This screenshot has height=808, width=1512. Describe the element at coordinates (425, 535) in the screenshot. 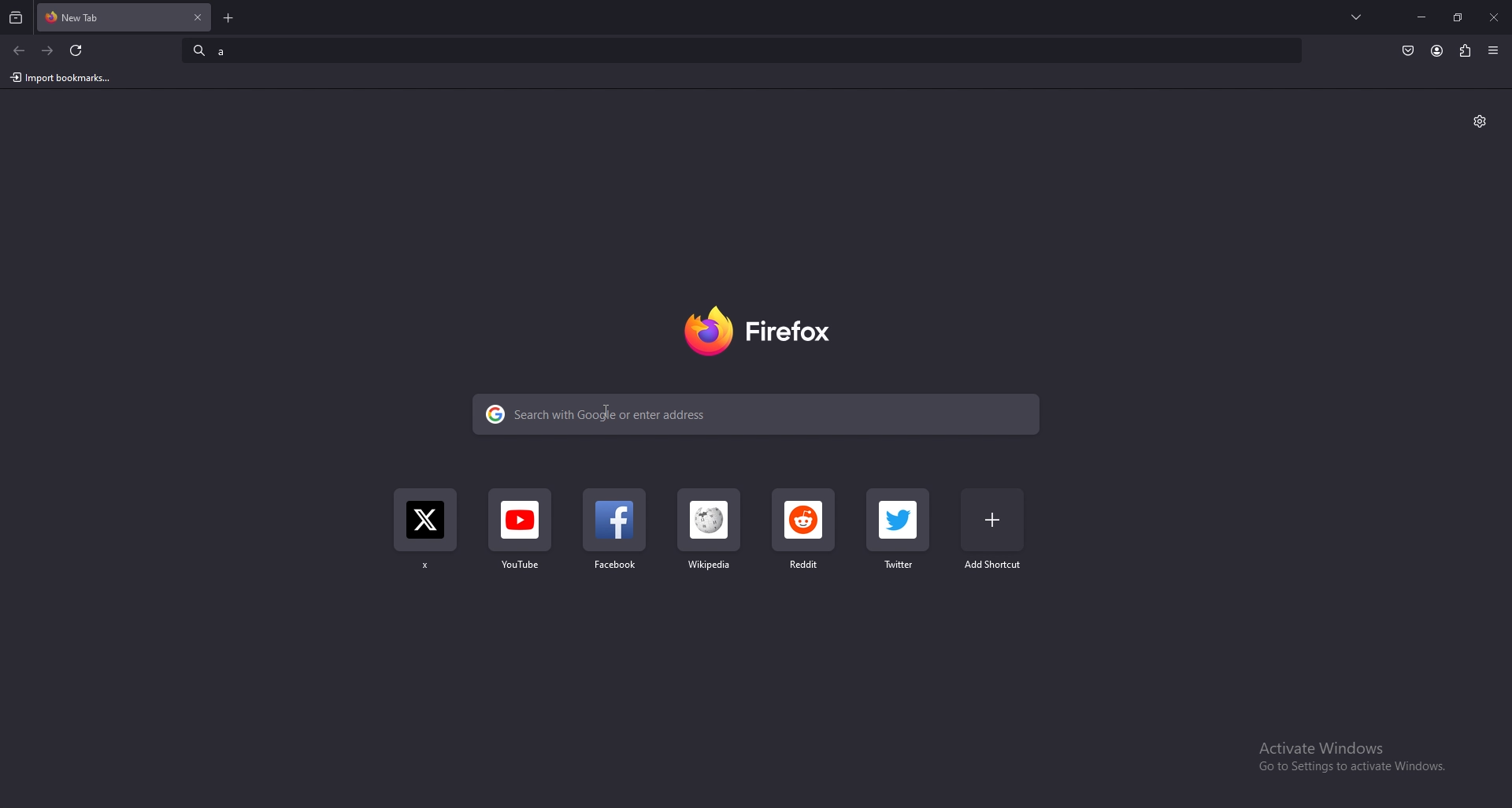

I see `twitter` at that location.